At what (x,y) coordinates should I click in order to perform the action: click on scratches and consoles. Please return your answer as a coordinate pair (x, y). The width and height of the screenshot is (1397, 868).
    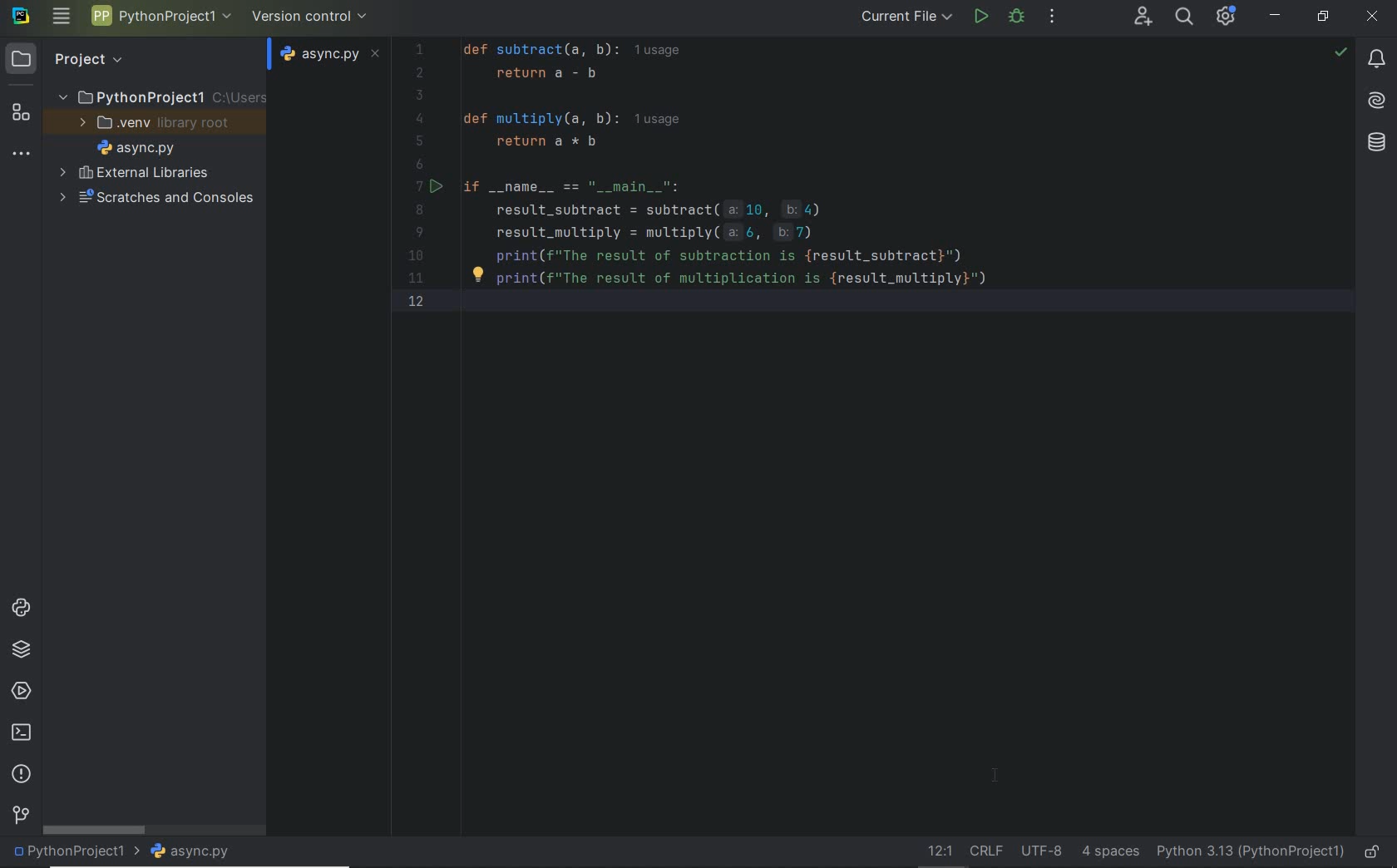
    Looking at the image, I should click on (151, 200).